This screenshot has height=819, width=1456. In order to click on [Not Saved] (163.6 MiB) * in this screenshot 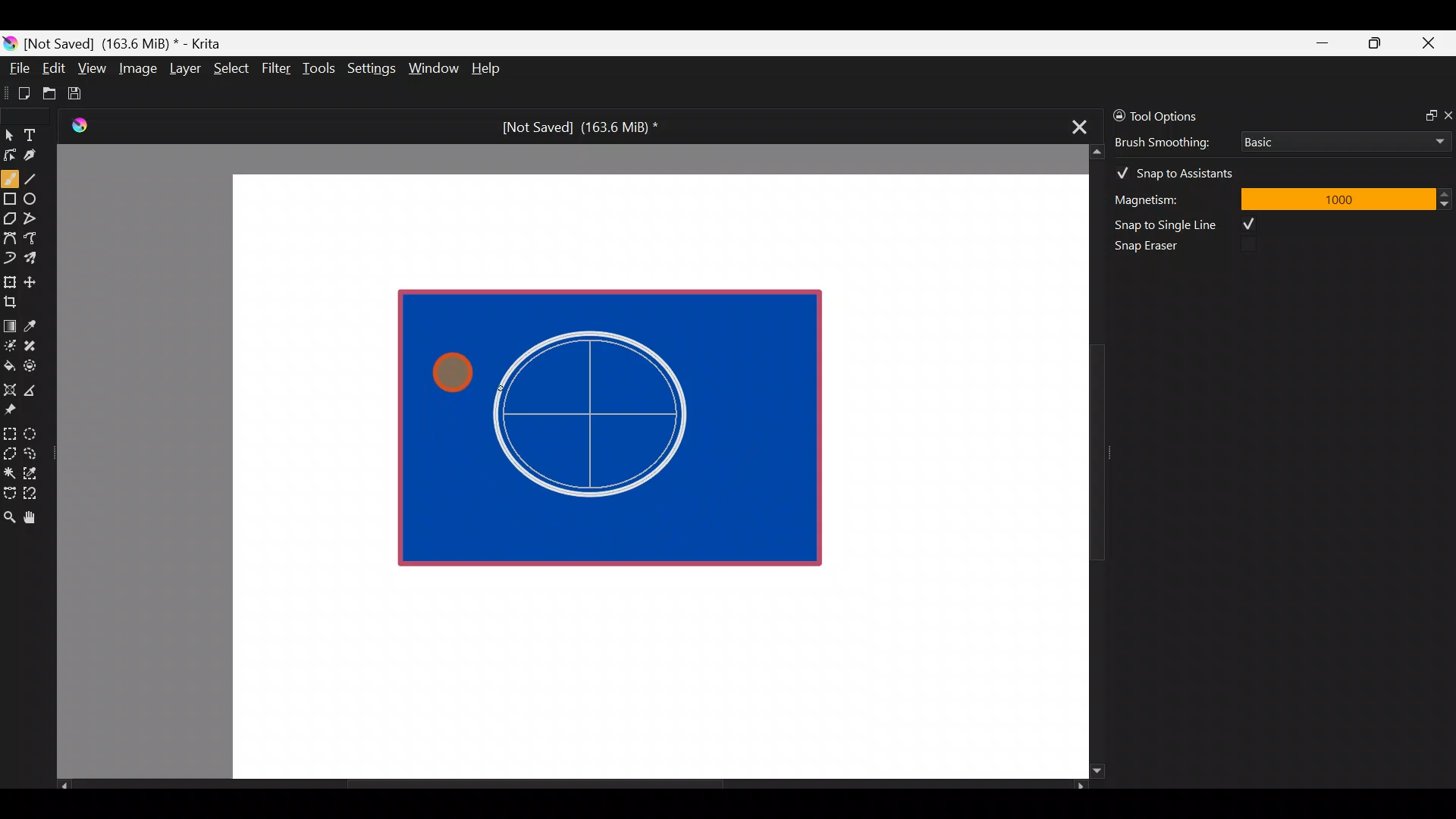, I will do `click(574, 127)`.